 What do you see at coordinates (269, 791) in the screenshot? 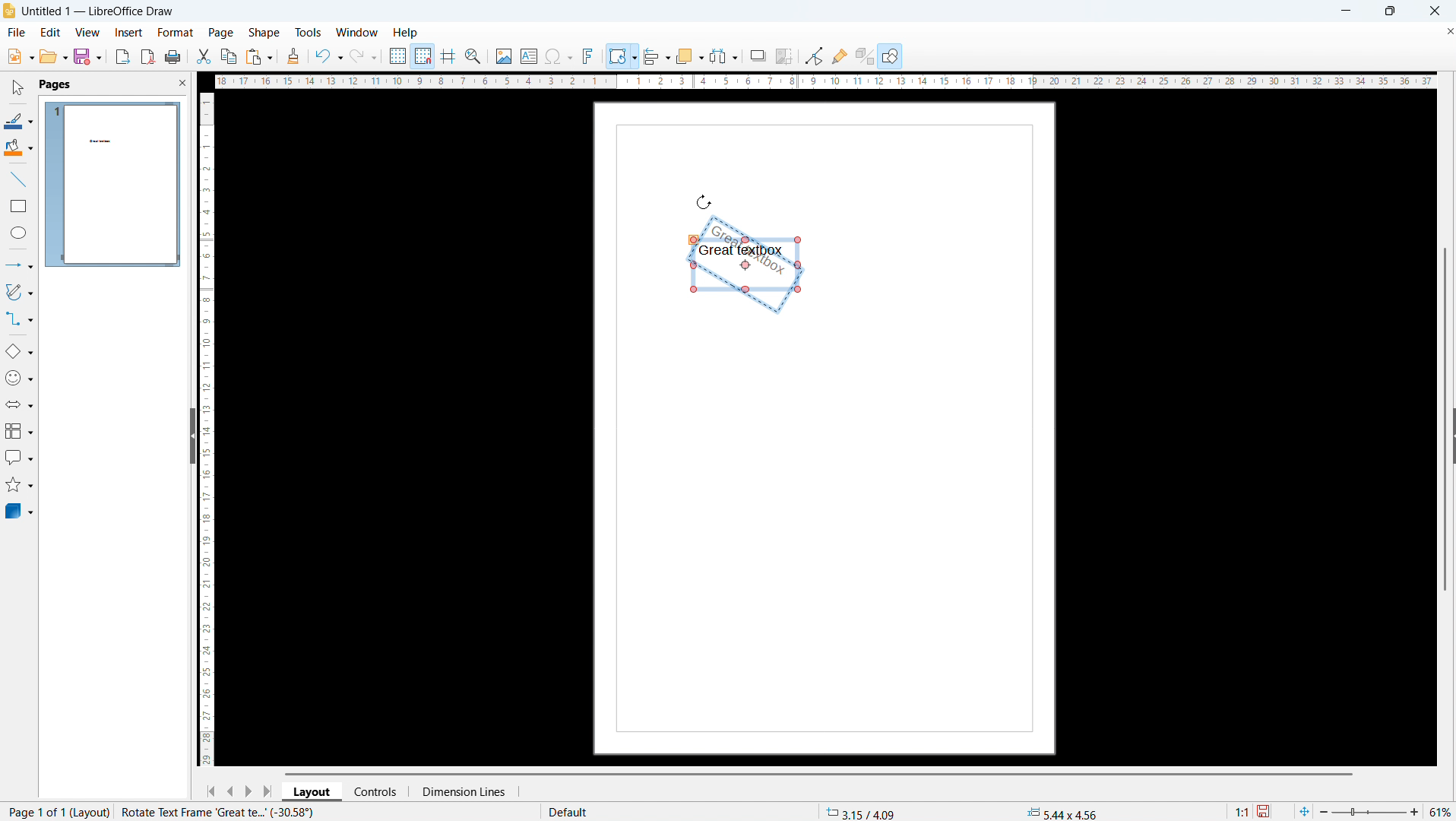
I see `Go to last page` at bounding box center [269, 791].